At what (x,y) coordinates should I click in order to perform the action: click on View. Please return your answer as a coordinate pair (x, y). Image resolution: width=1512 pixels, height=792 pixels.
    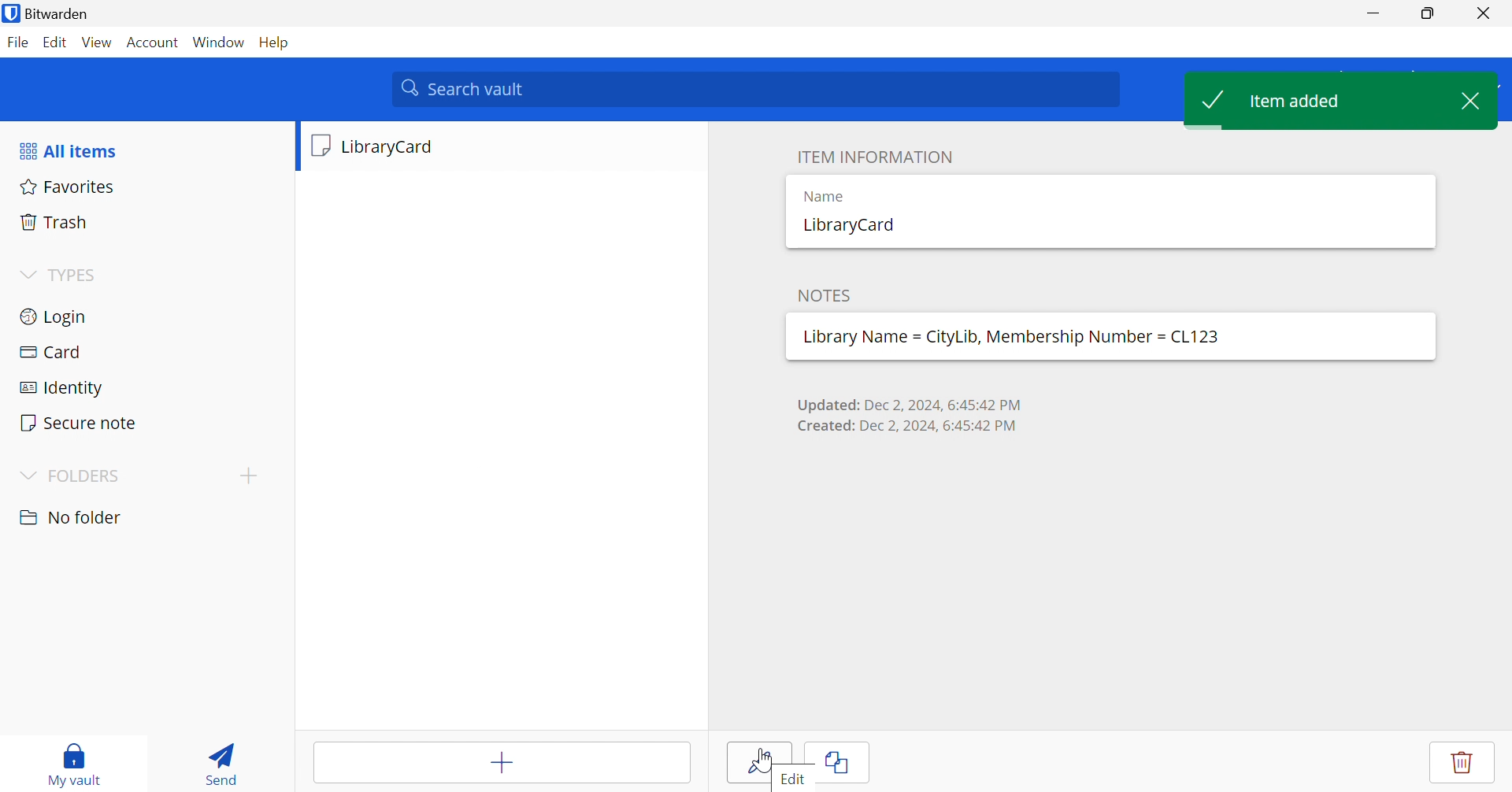
    Looking at the image, I should click on (98, 44).